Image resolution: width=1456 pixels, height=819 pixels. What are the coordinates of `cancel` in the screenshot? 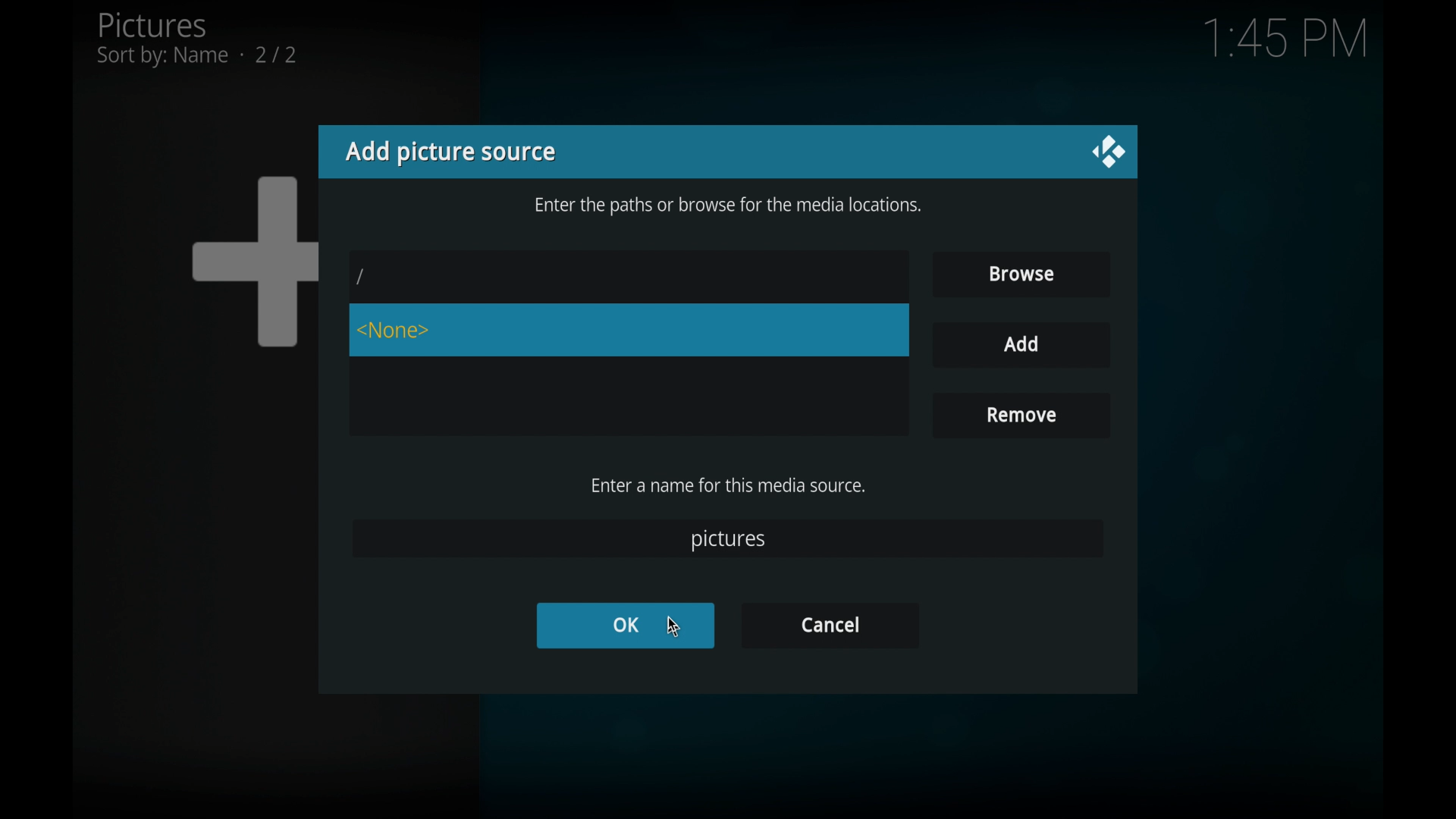 It's located at (830, 626).